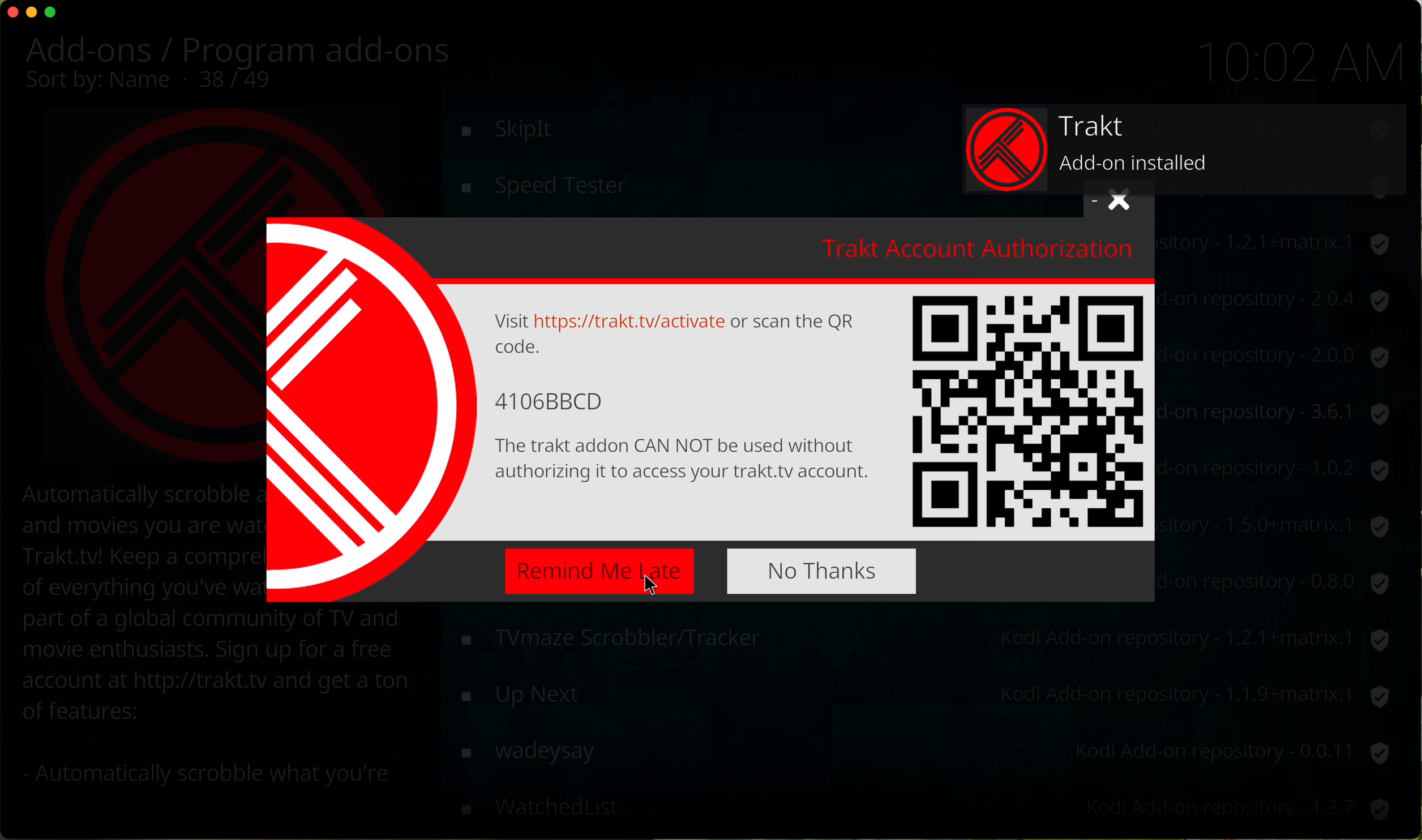 This screenshot has height=840, width=1422. Describe the element at coordinates (918, 635) in the screenshot. I see `web pdb` at that location.